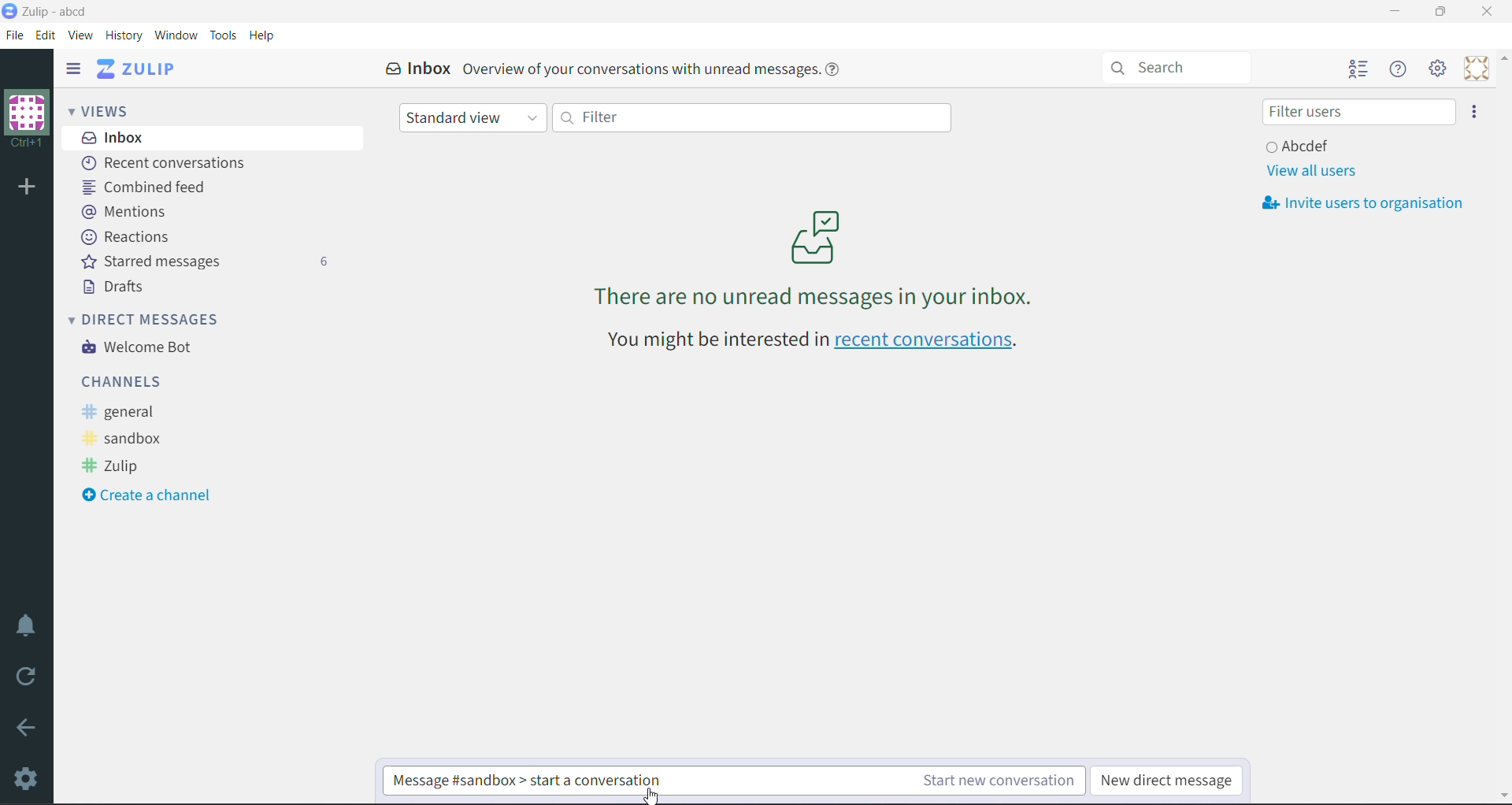  Describe the element at coordinates (897, 783) in the screenshot. I see `Start new conversation` at that location.